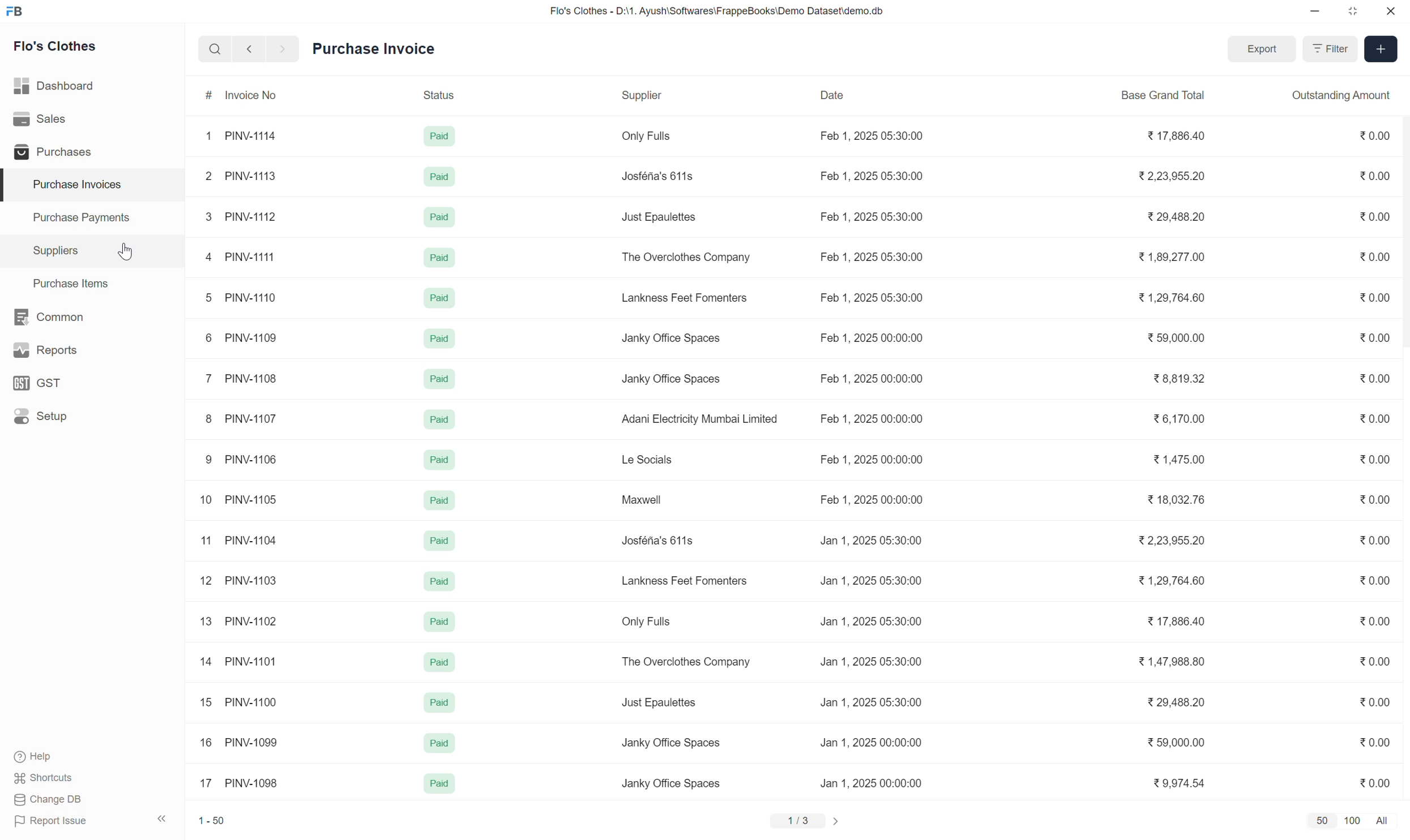  Describe the element at coordinates (871, 458) in the screenshot. I see `Feb 1, 2025 00:00:00` at that location.